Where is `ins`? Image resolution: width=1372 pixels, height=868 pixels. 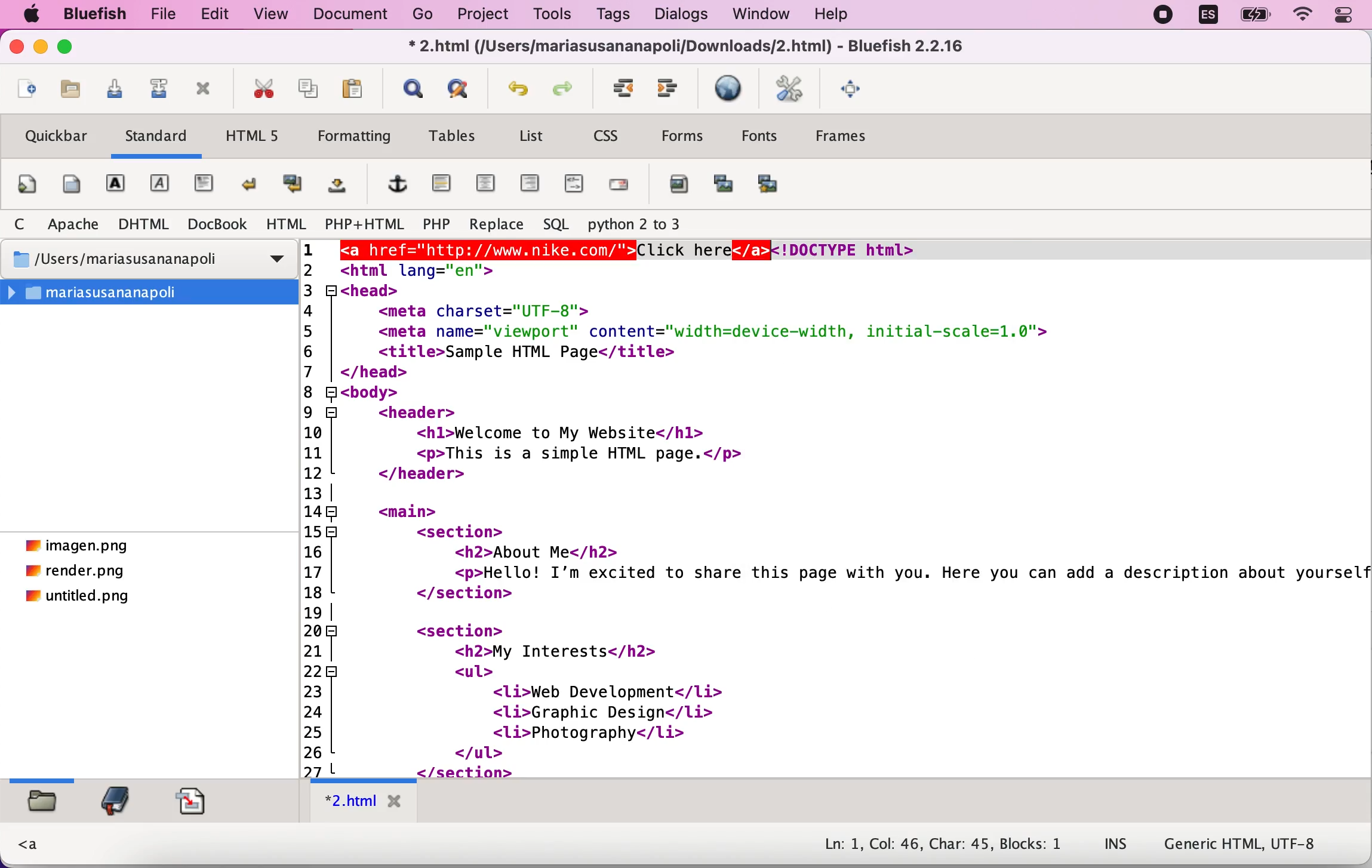 ins is located at coordinates (1119, 844).